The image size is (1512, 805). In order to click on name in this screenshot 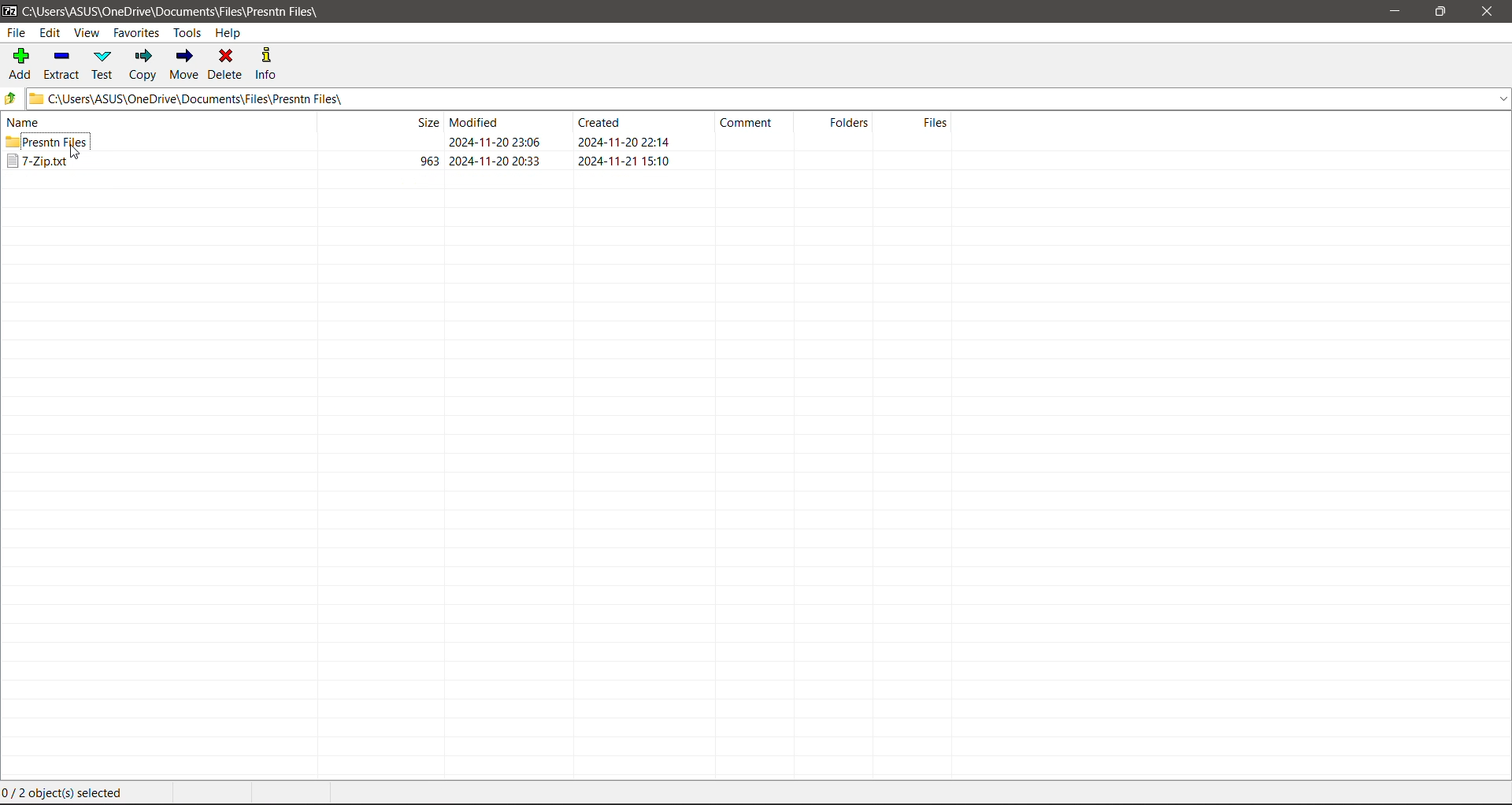, I will do `click(31, 121)`.